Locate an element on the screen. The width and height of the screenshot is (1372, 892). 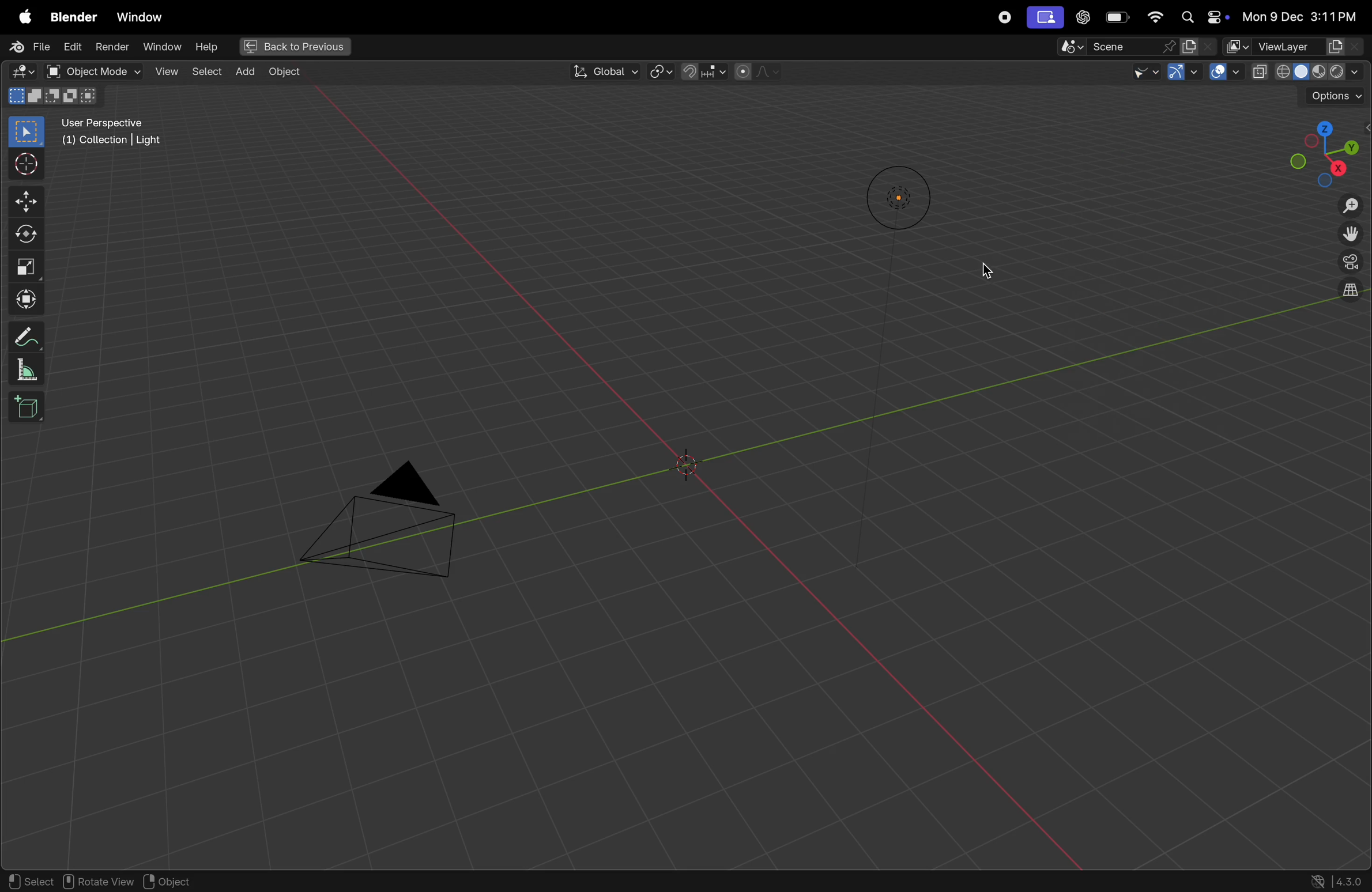
battery is located at coordinates (1114, 18).